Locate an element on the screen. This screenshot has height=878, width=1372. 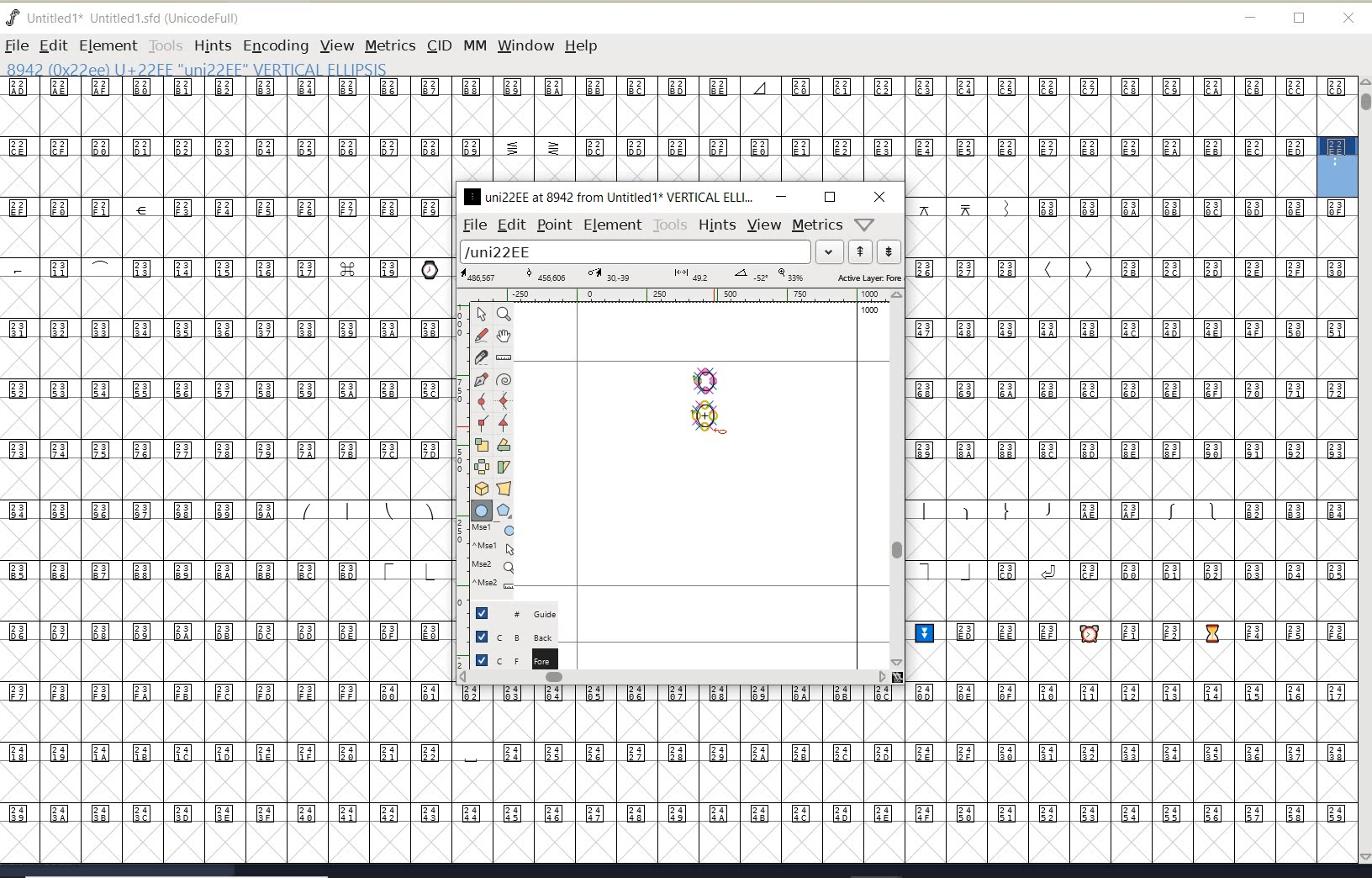
SCROLLBAR is located at coordinates (1364, 472).